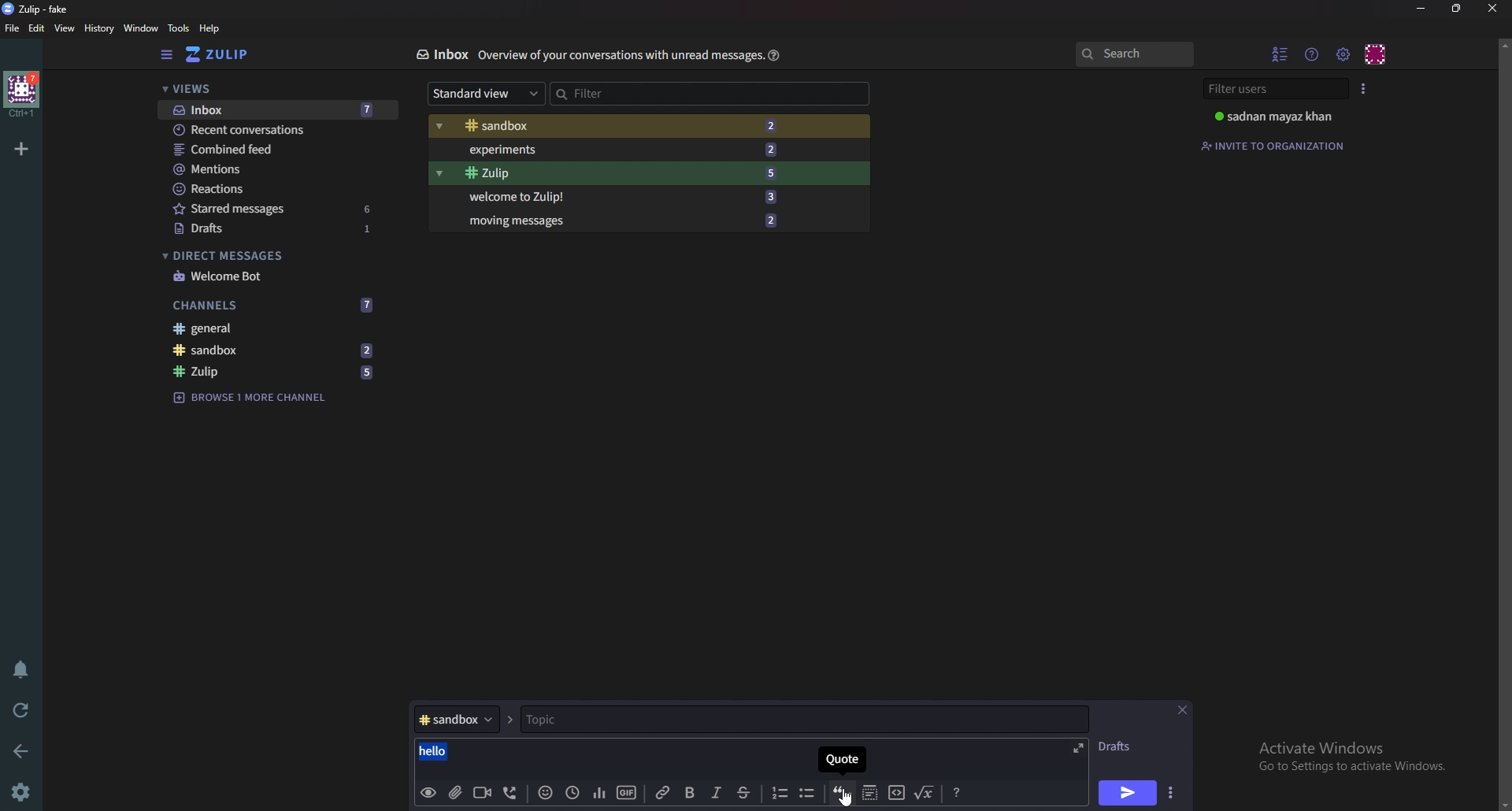 The image size is (1512, 811). Describe the element at coordinates (231, 109) in the screenshot. I see `Inbox` at that location.